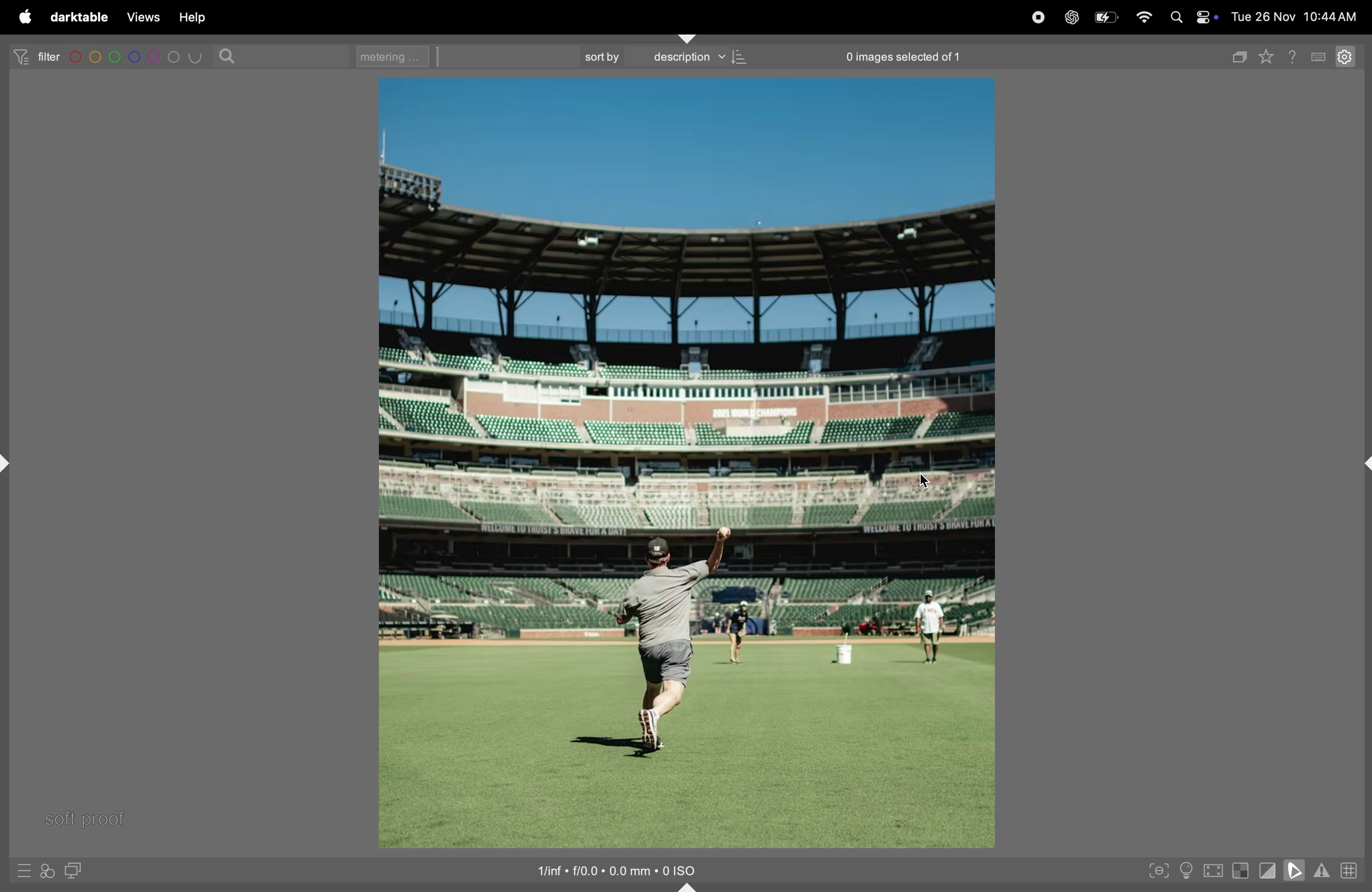 The height and width of the screenshot is (892, 1372). Describe the element at coordinates (1158, 870) in the screenshot. I see `toggle peak focusing mode` at that location.